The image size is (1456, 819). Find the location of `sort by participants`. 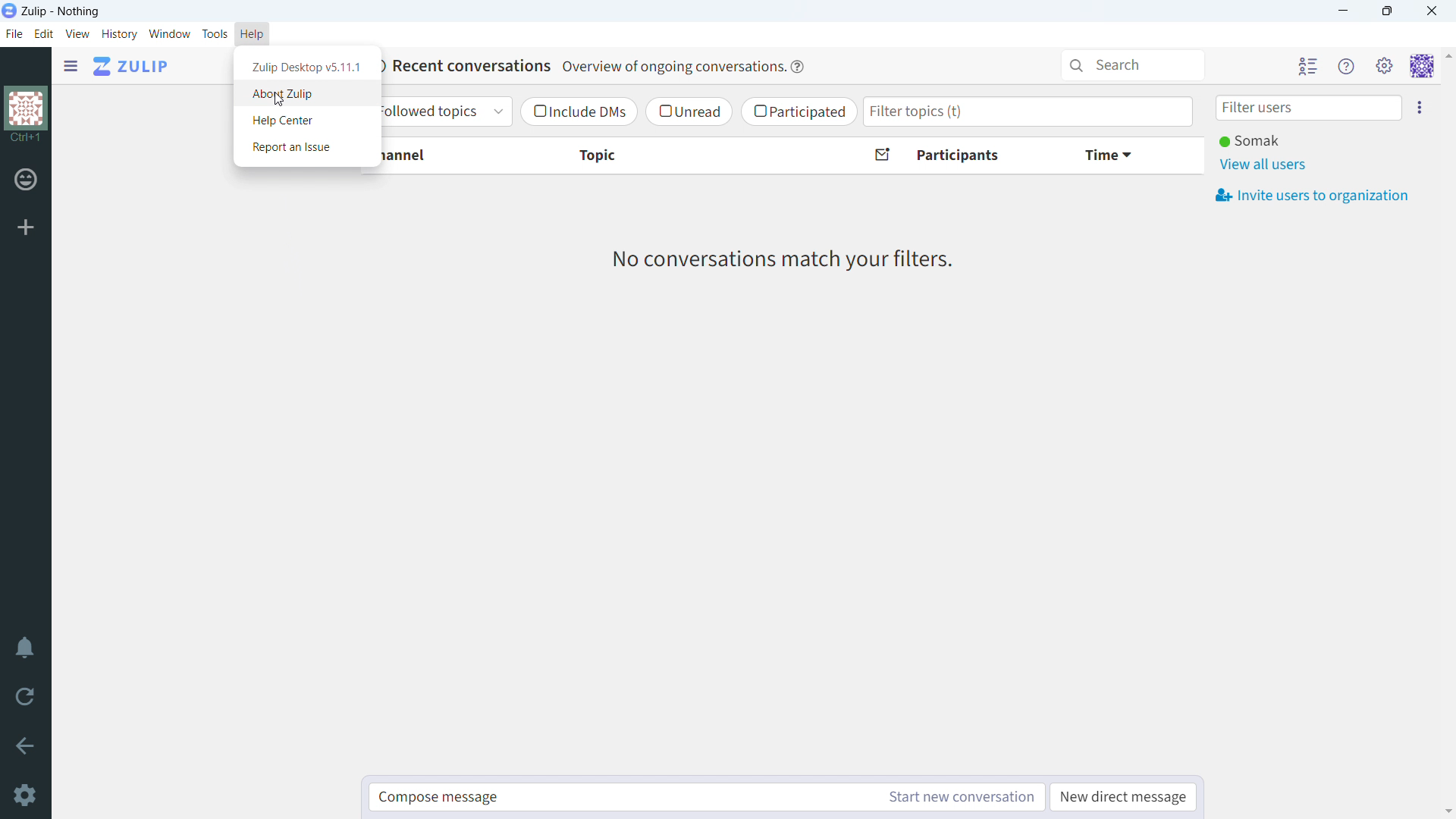

sort by participants is located at coordinates (957, 156).